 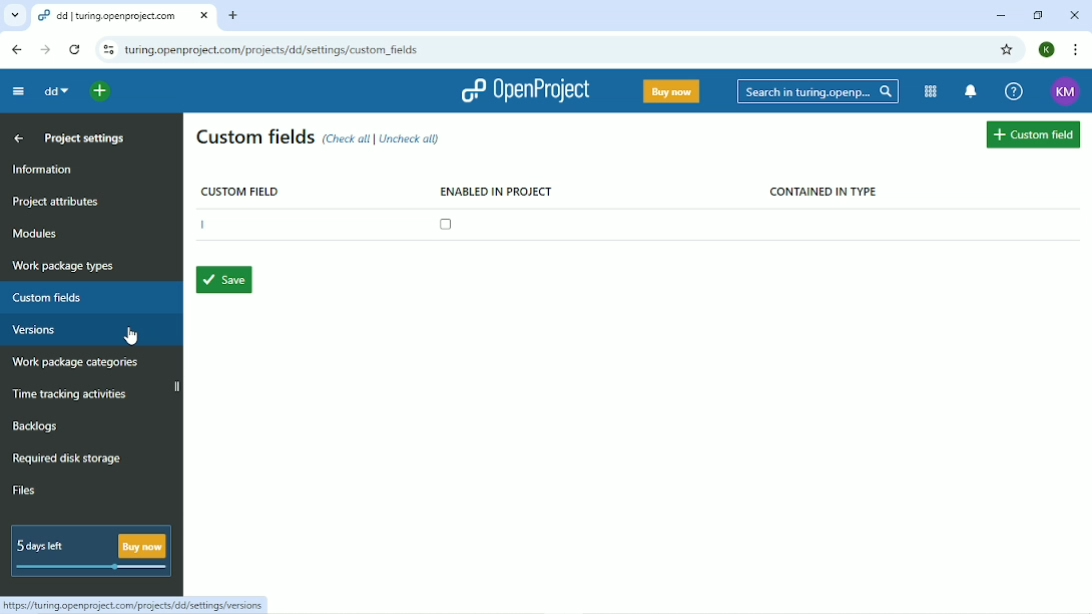 I want to click on Time tracking activities, so click(x=73, y=392).